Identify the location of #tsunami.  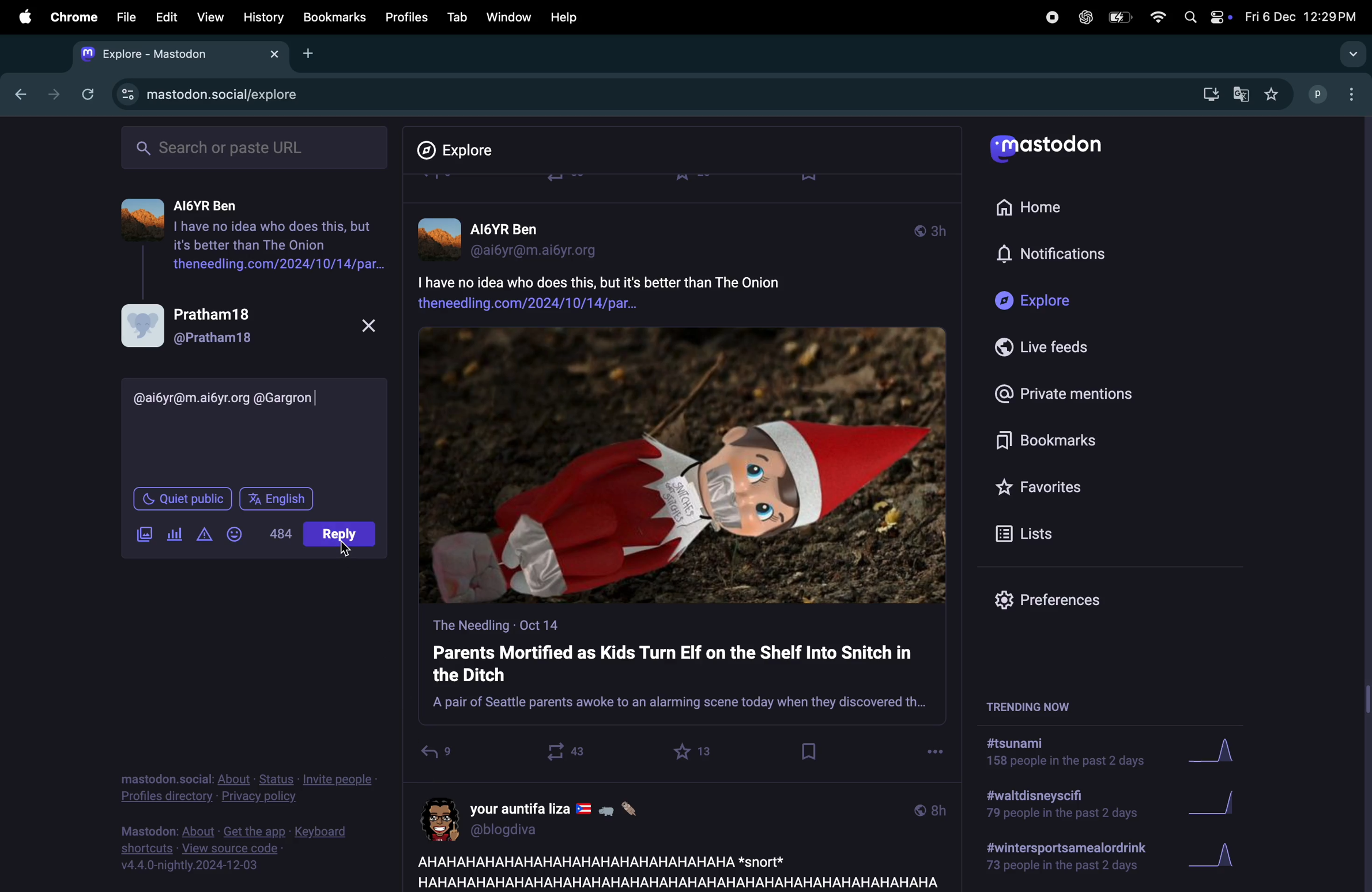
(1072, 755).